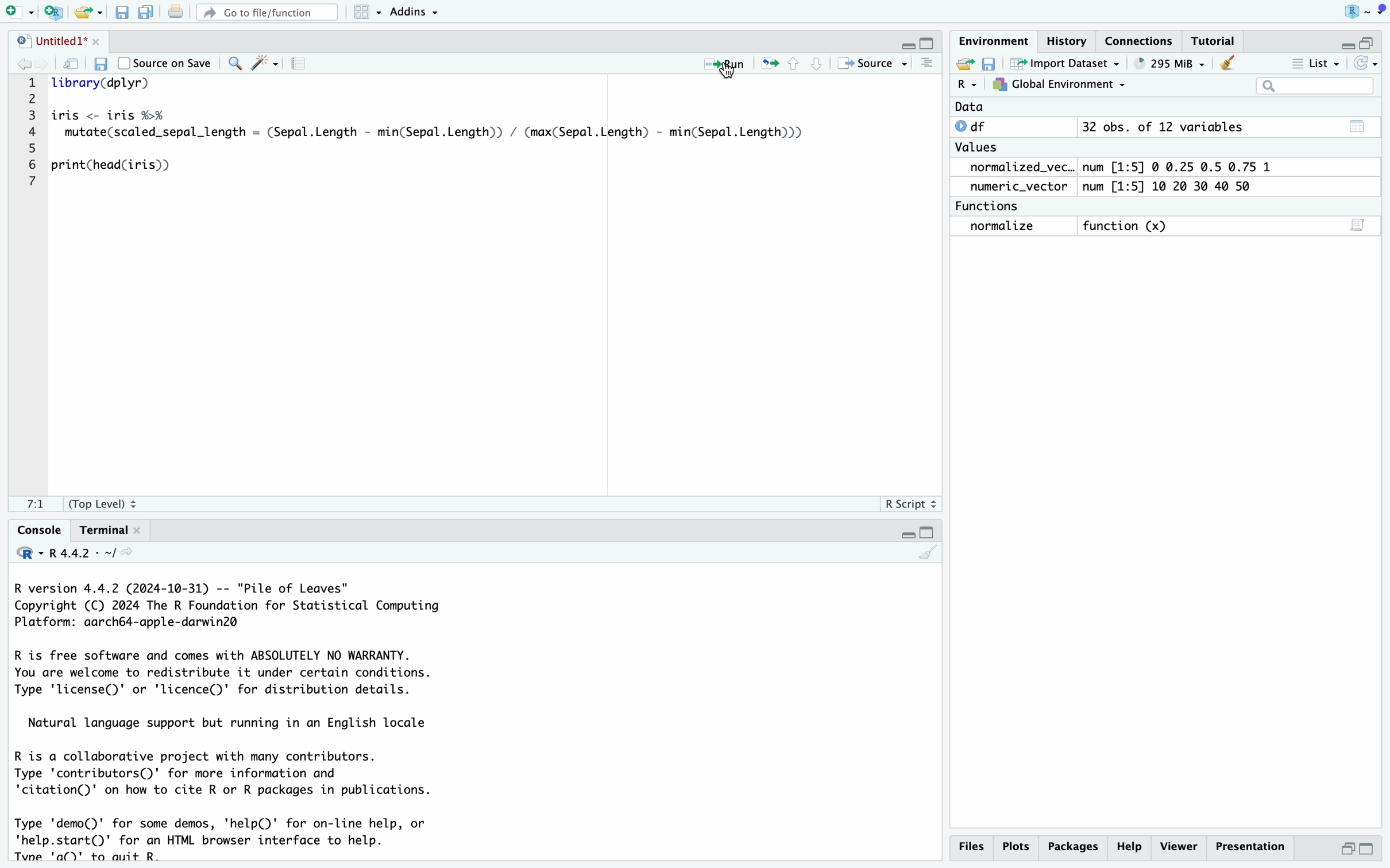  What do you see at coordinates (993, 41) in the screenshot?
I see `Environment` at bounding box center [993, 41].